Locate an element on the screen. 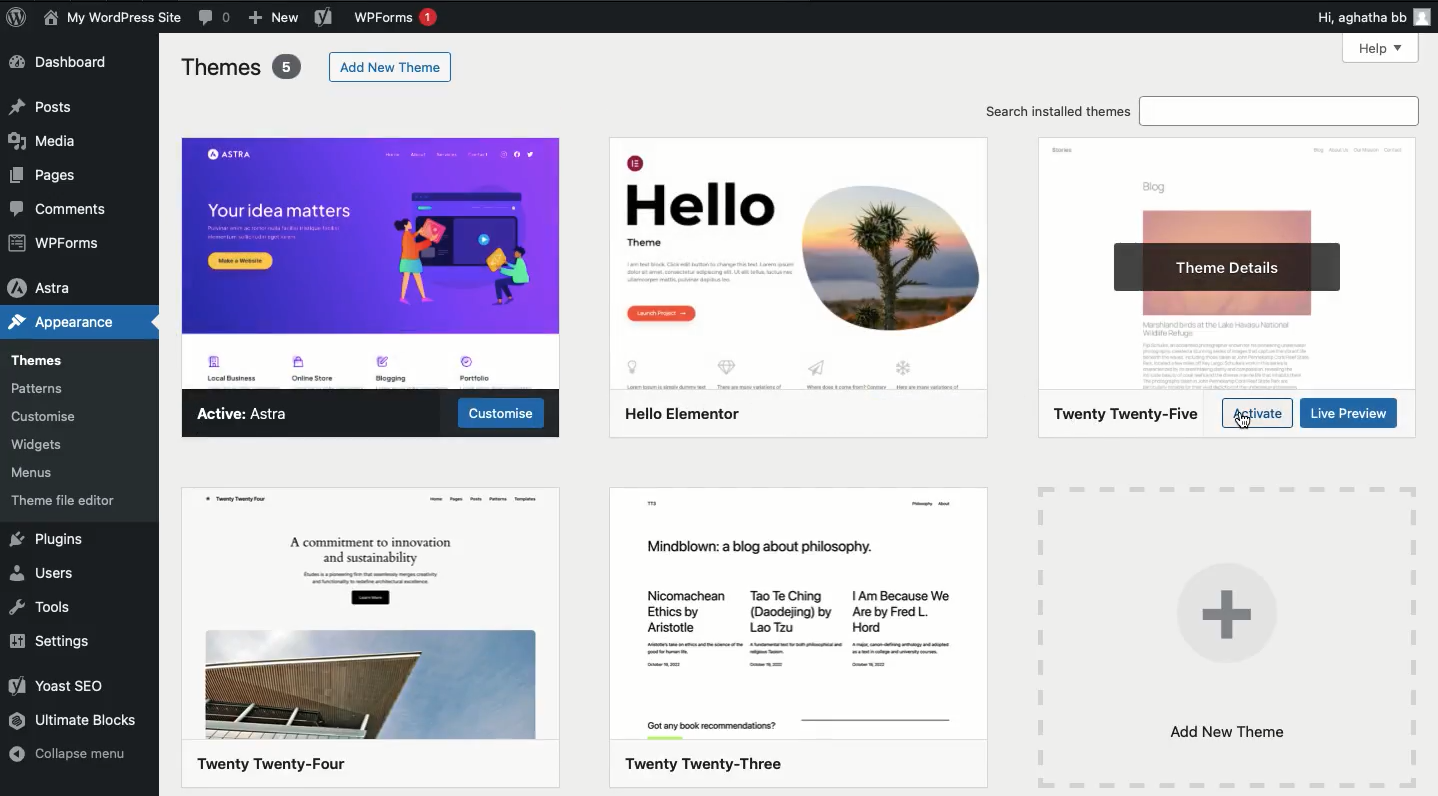 Image resolution: width=1438 pixels, height=796 pixels. Customize is located at coordinates (43, 416).